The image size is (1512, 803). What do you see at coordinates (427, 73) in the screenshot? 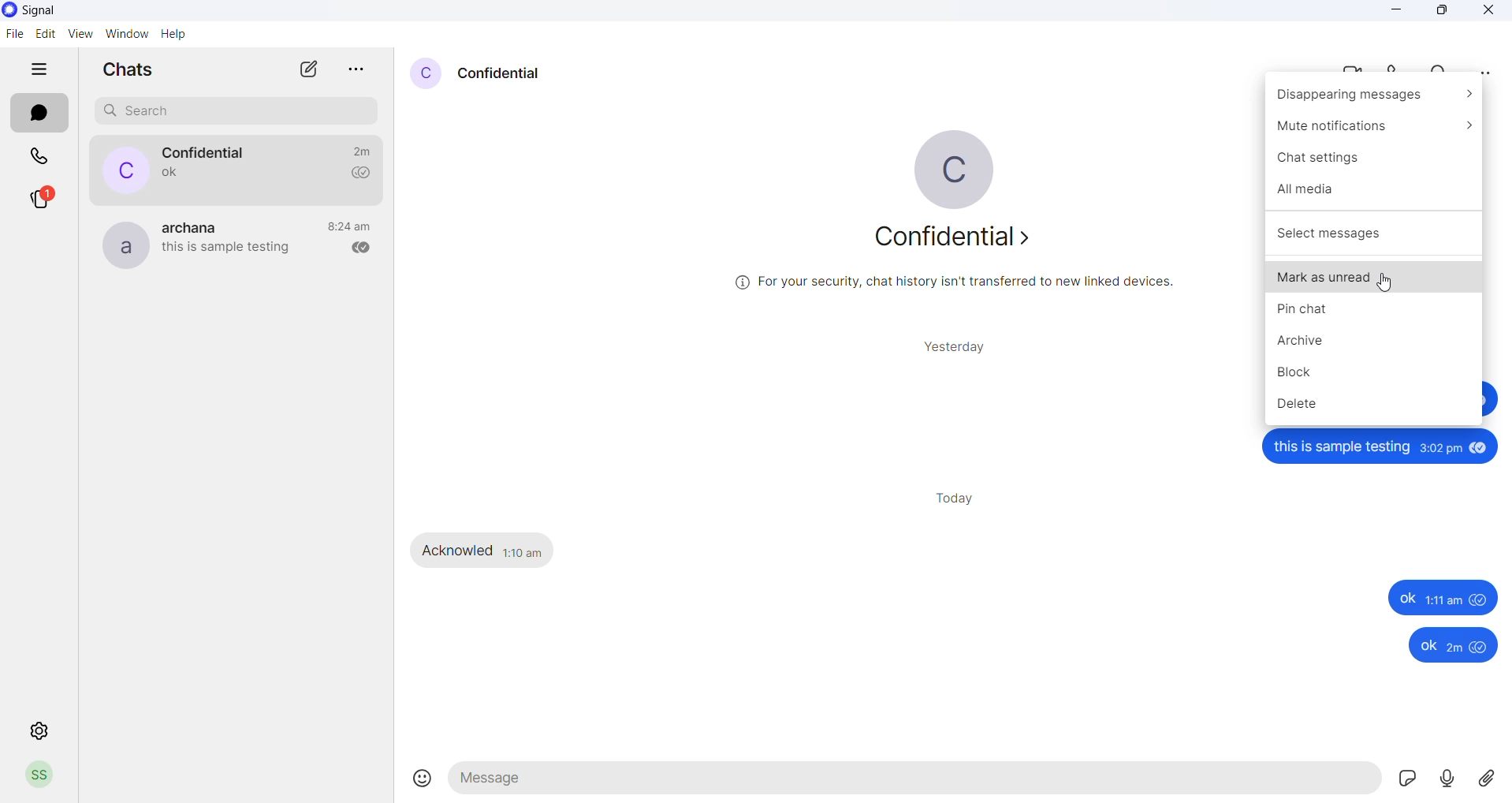
I see `profile picture` at bounding box center [427, 73].